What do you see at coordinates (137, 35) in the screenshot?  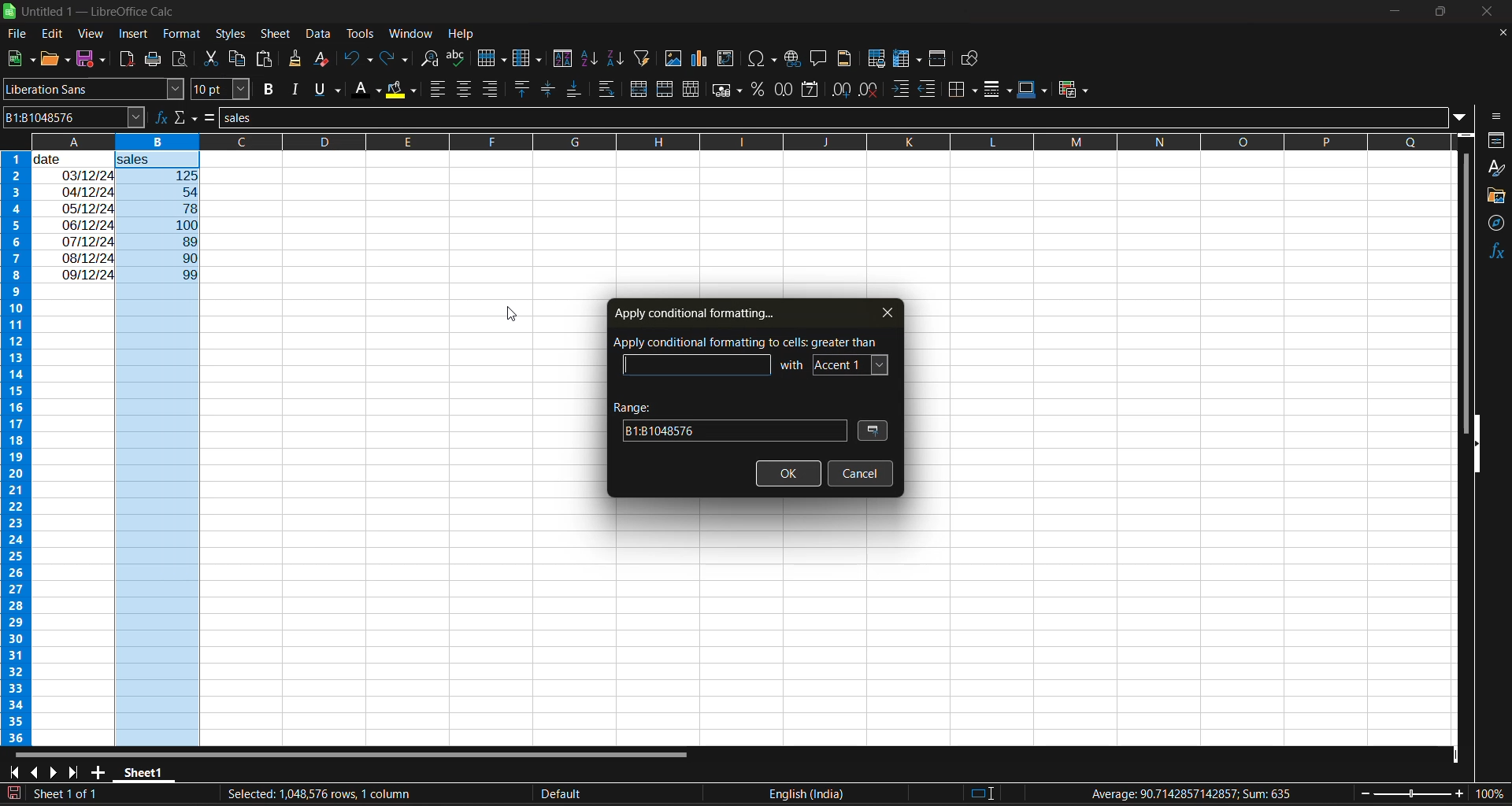 I see `insert` at bounding box center [137, 35].